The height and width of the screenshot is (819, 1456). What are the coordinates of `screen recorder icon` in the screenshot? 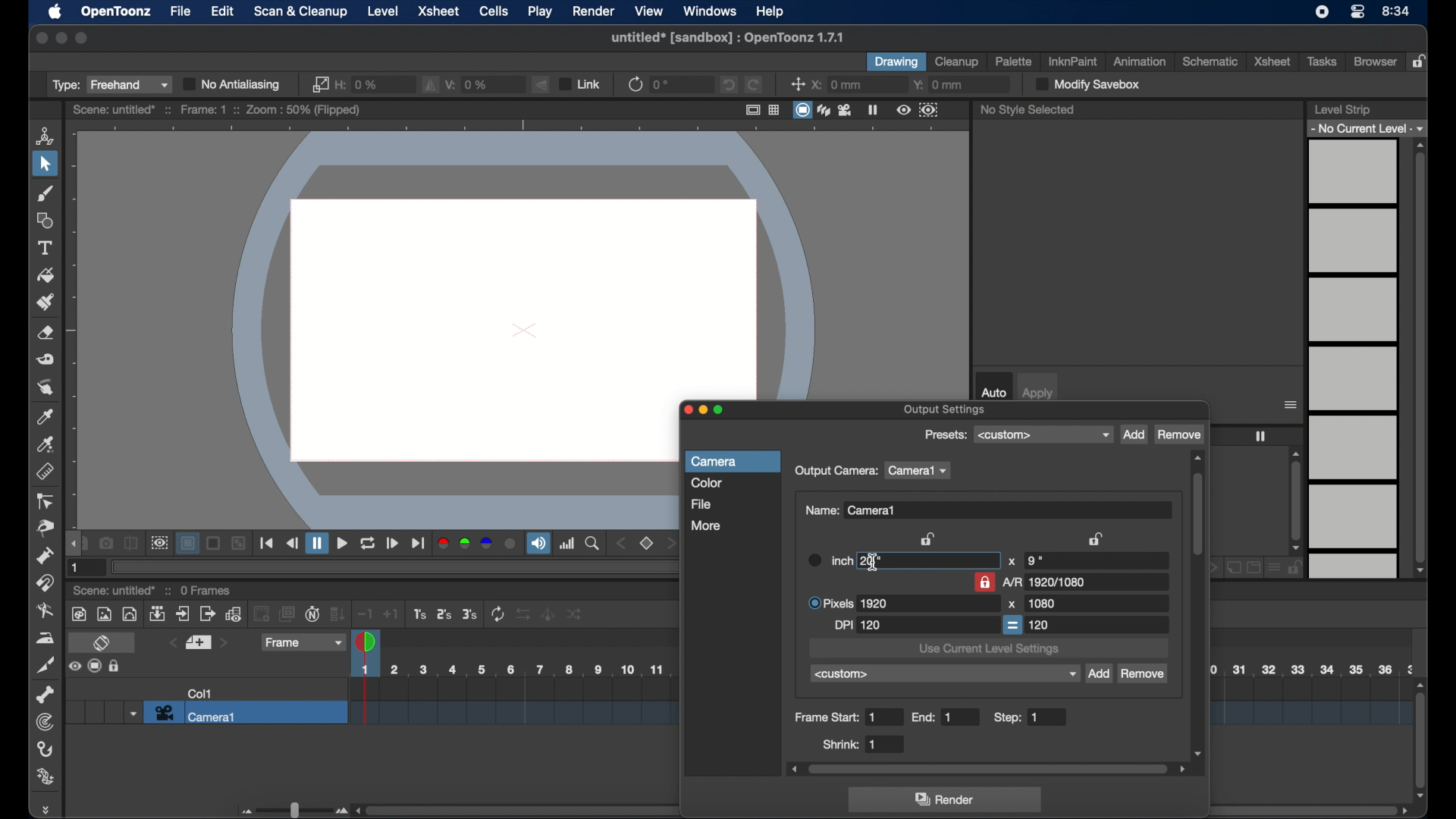 It's located at (1323, 11).